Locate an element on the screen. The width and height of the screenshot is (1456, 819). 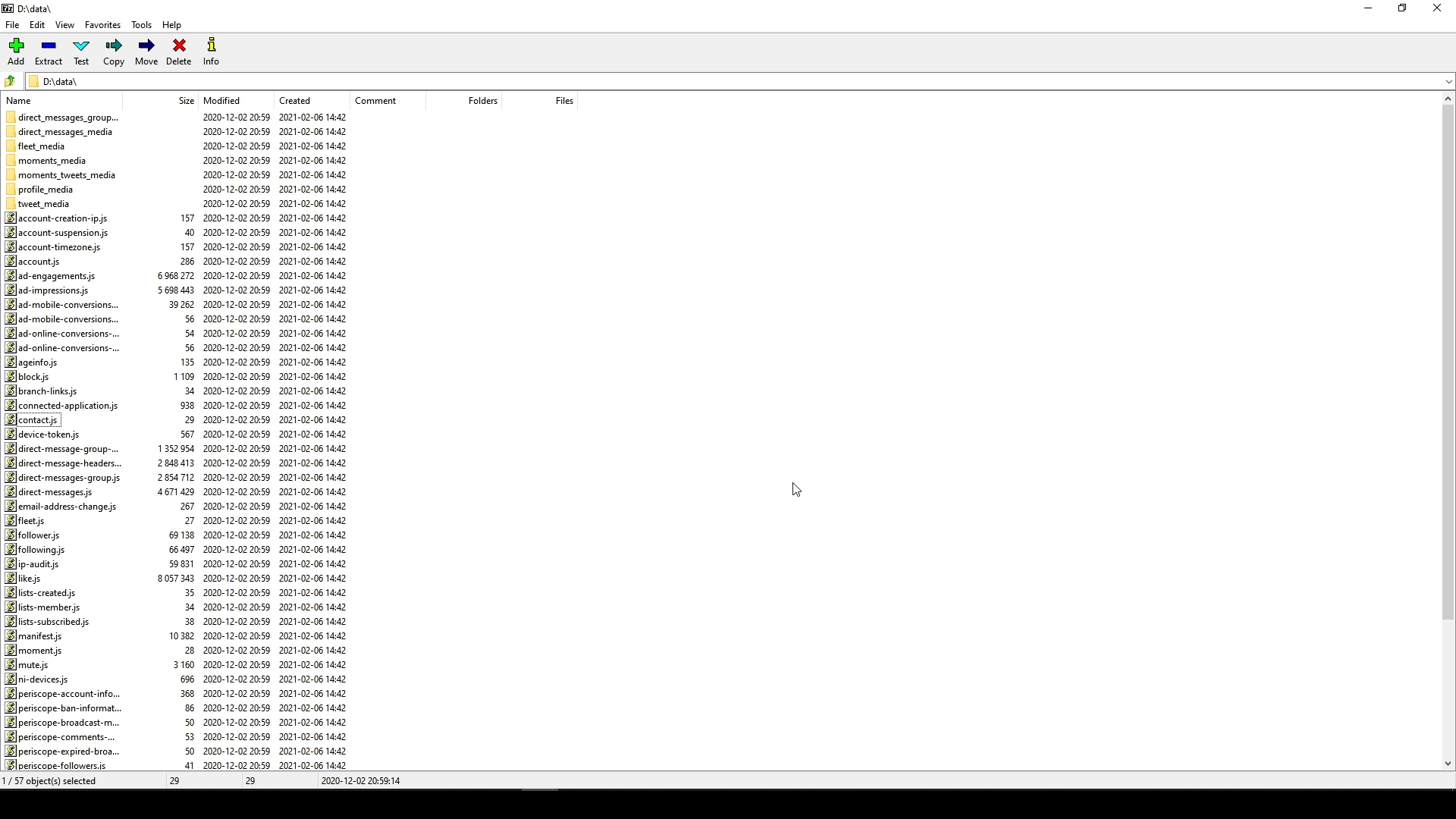
Edit is located at coordinates (37, 24).